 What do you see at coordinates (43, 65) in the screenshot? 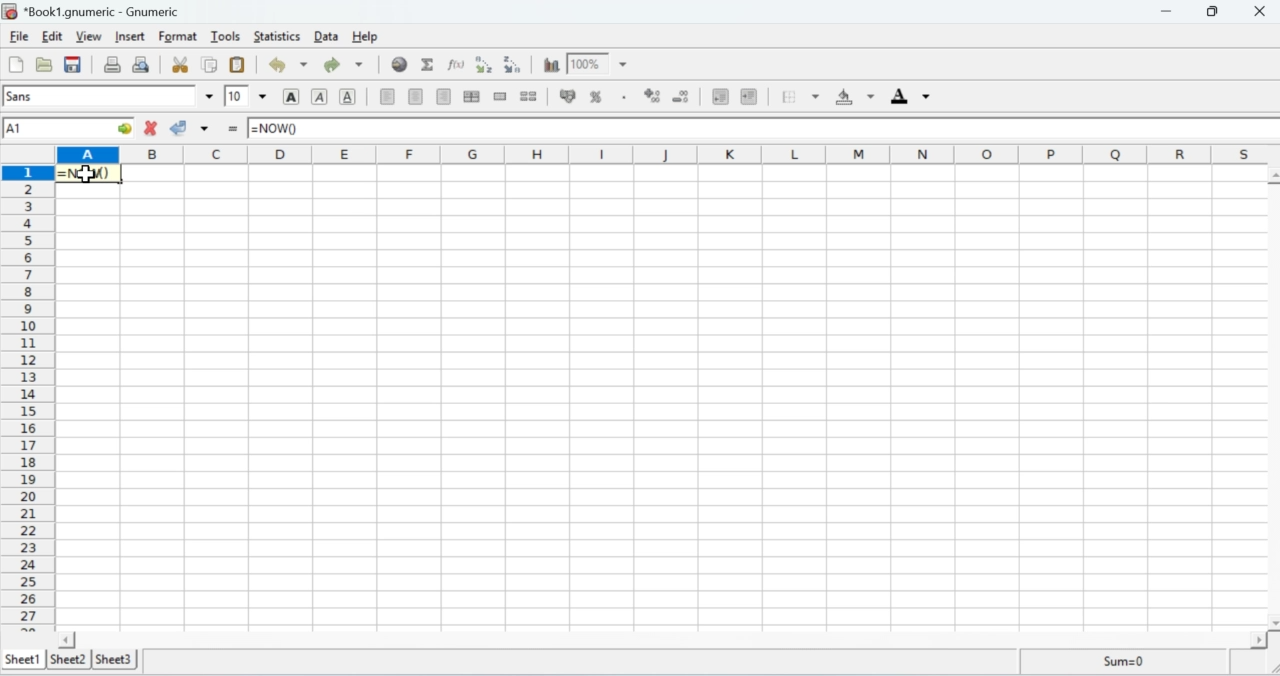
I see `Open a file` at bounding box center [43, 65].